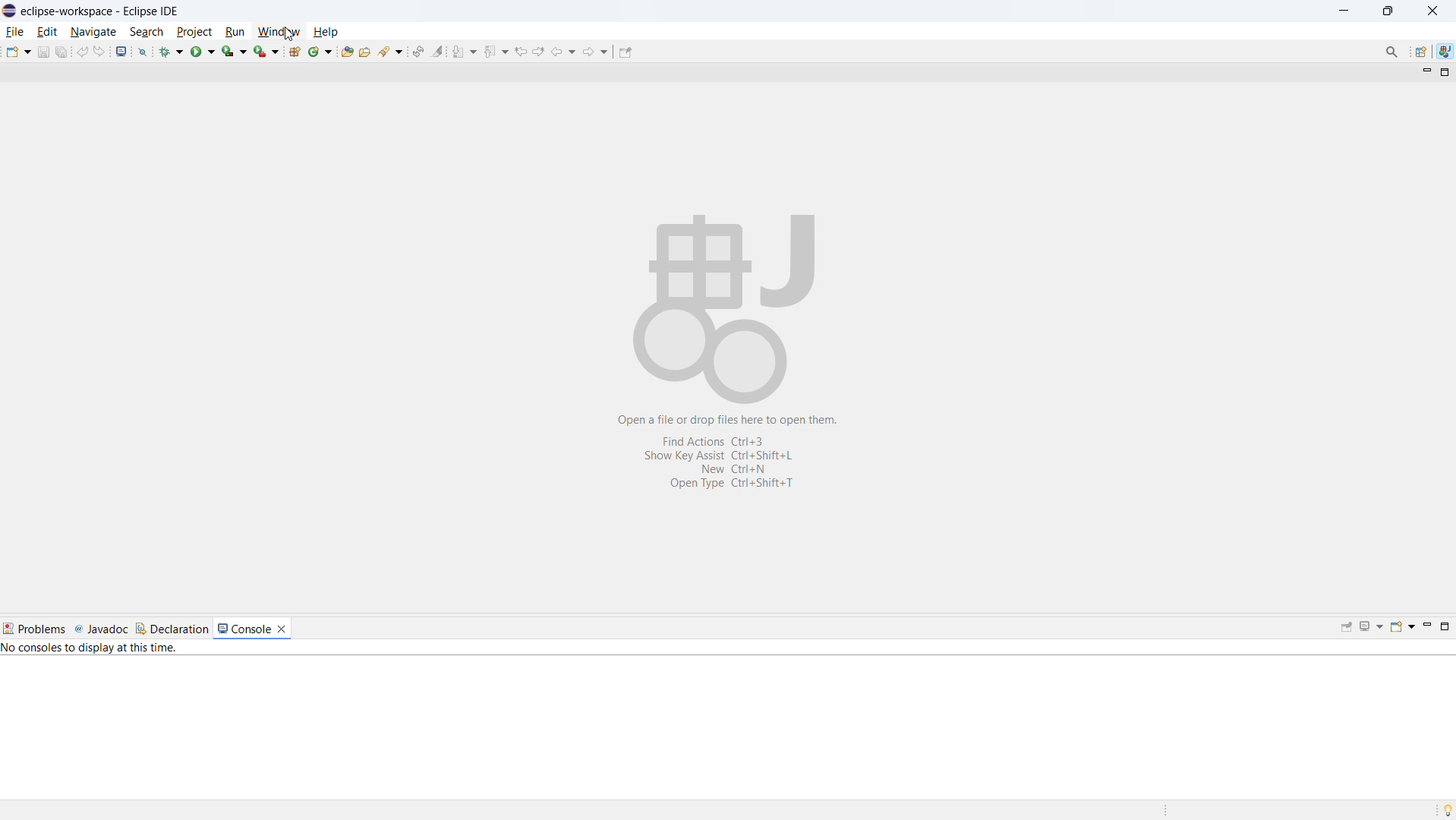 This screenshot has width=1456, height=820. Describe the element at coordinates (1433, 10) in the screenshot. I see `close` at that location.